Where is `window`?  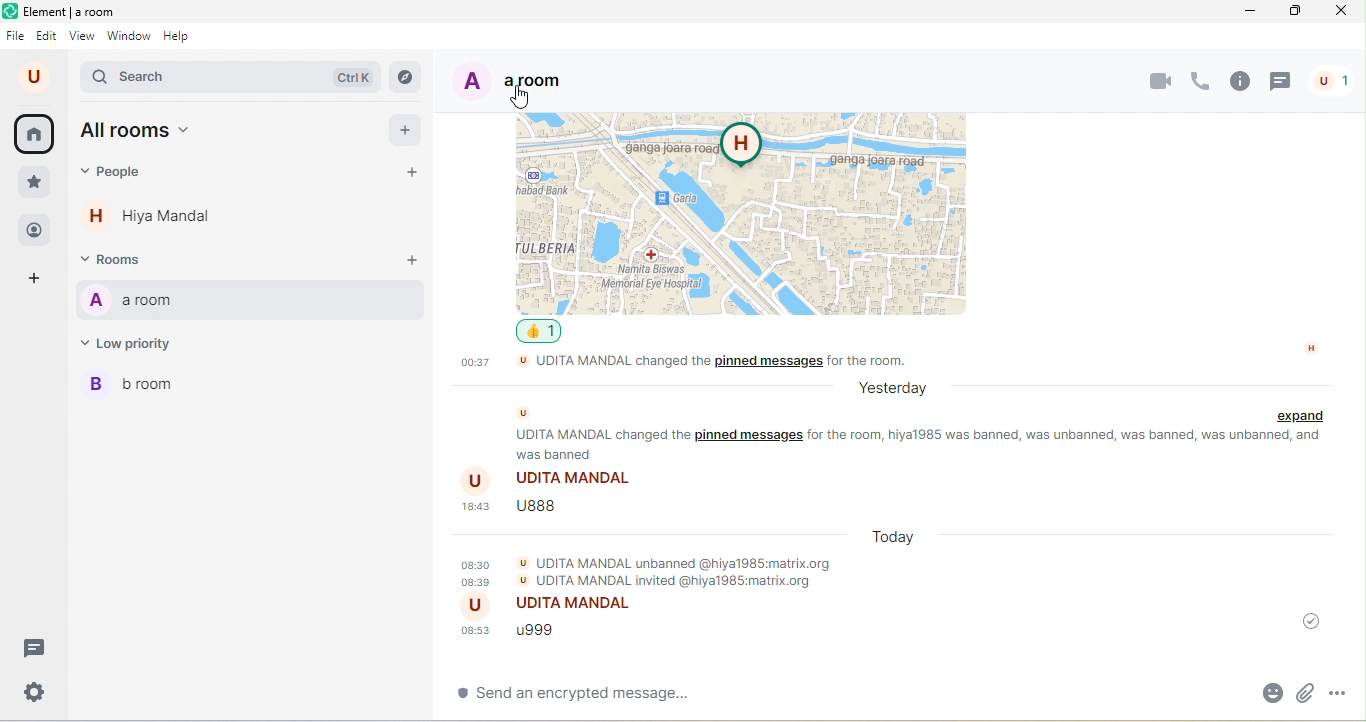 window is located at coordinates (130, 38).